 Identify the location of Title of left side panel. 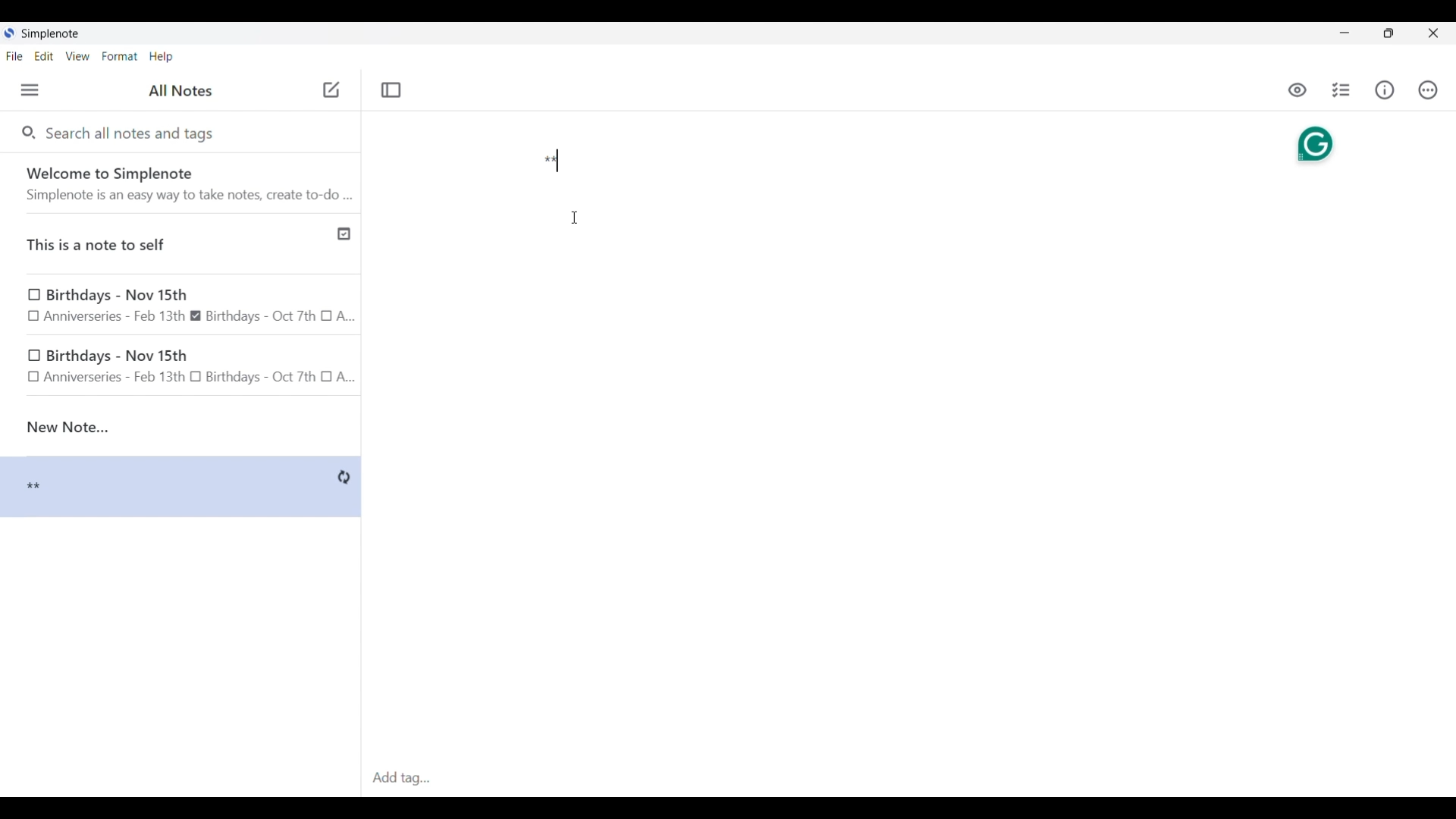
(180, 91).